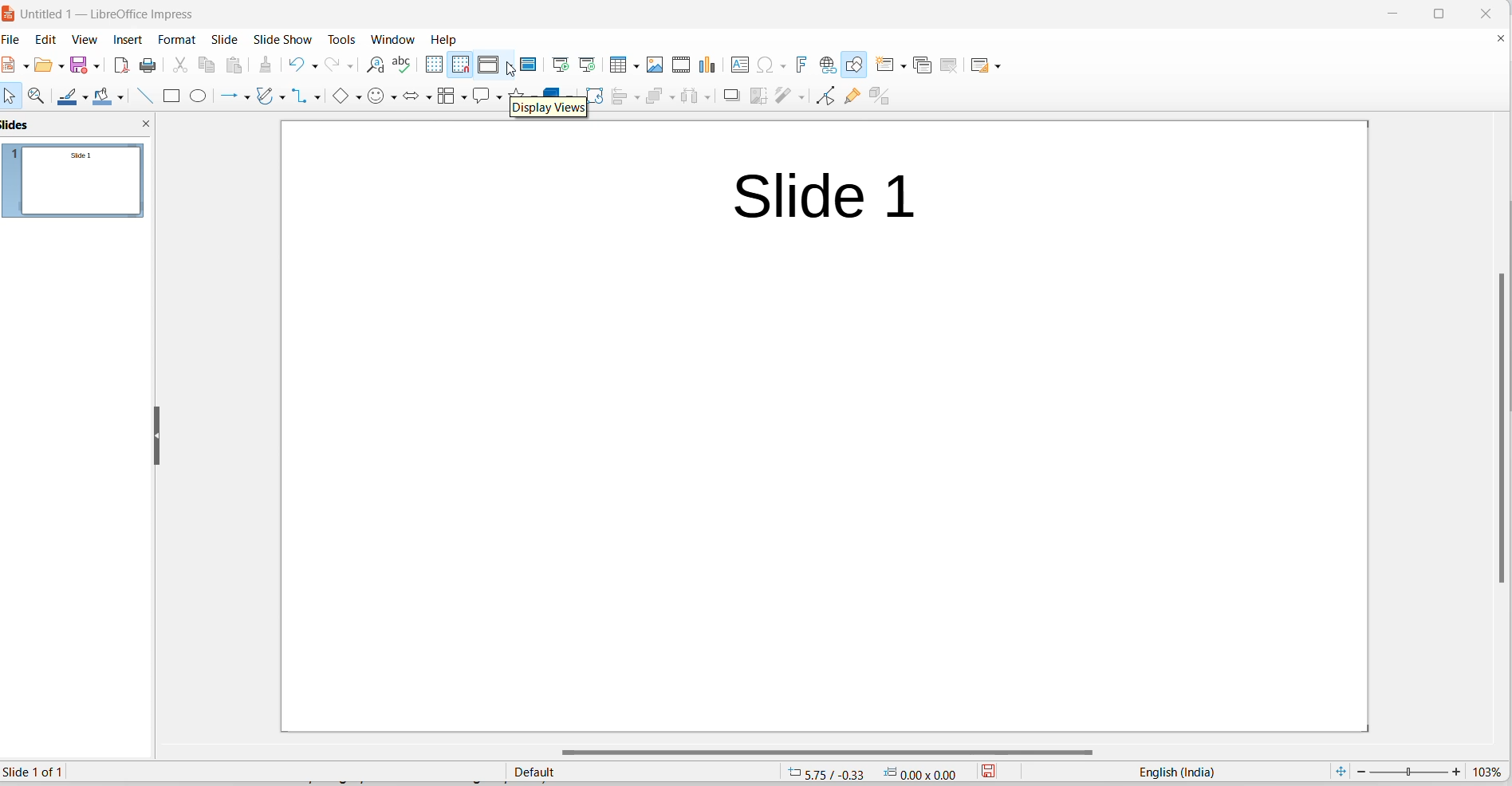 This screenshot has width=1512, height=786. I want to click on arrange , so click(655, 97).